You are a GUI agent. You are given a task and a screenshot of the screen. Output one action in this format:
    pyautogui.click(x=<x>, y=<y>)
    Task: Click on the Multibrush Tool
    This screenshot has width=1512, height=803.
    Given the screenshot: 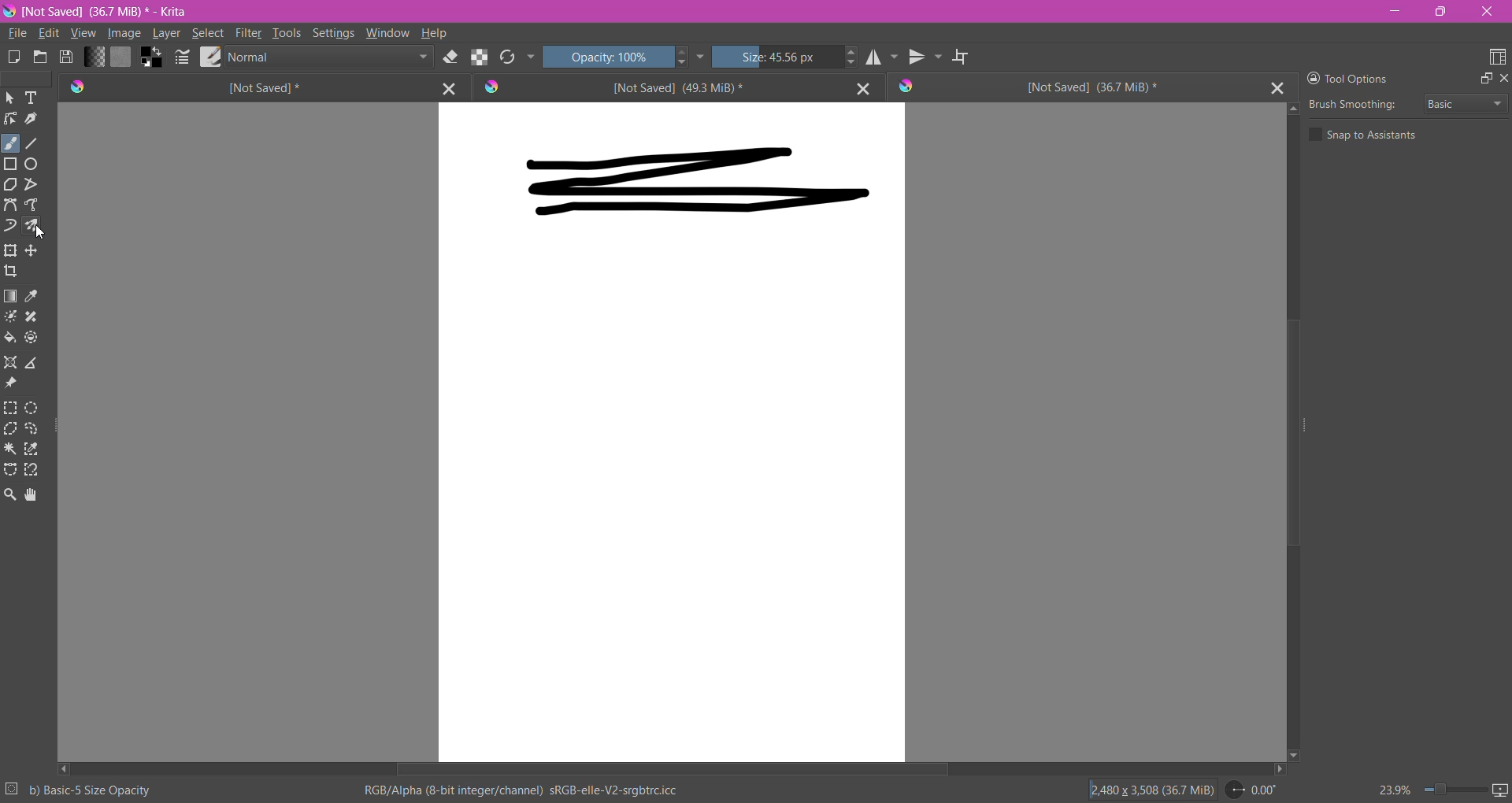 What is the action you would take?
    pyautogui.click(x=33, y=226)
    